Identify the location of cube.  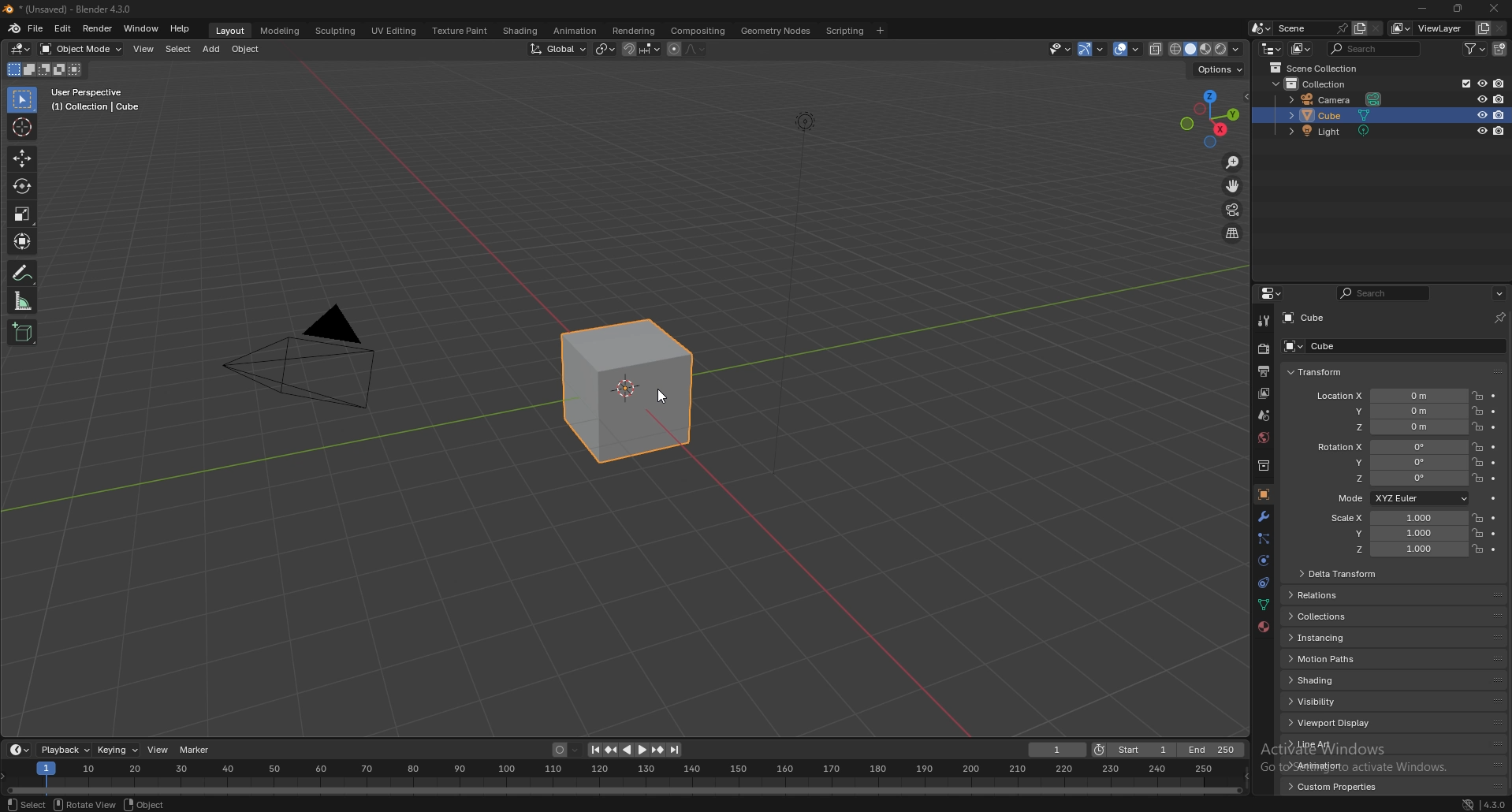
(1304, 318).